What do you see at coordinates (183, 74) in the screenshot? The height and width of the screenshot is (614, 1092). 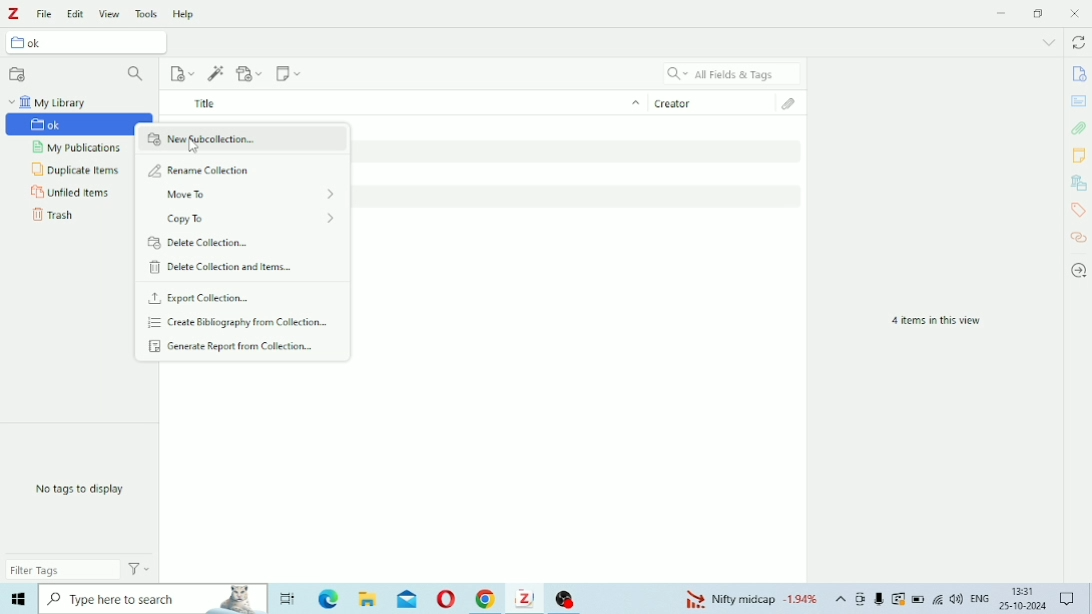 I see `New Item` at bounding box center [183, 74].